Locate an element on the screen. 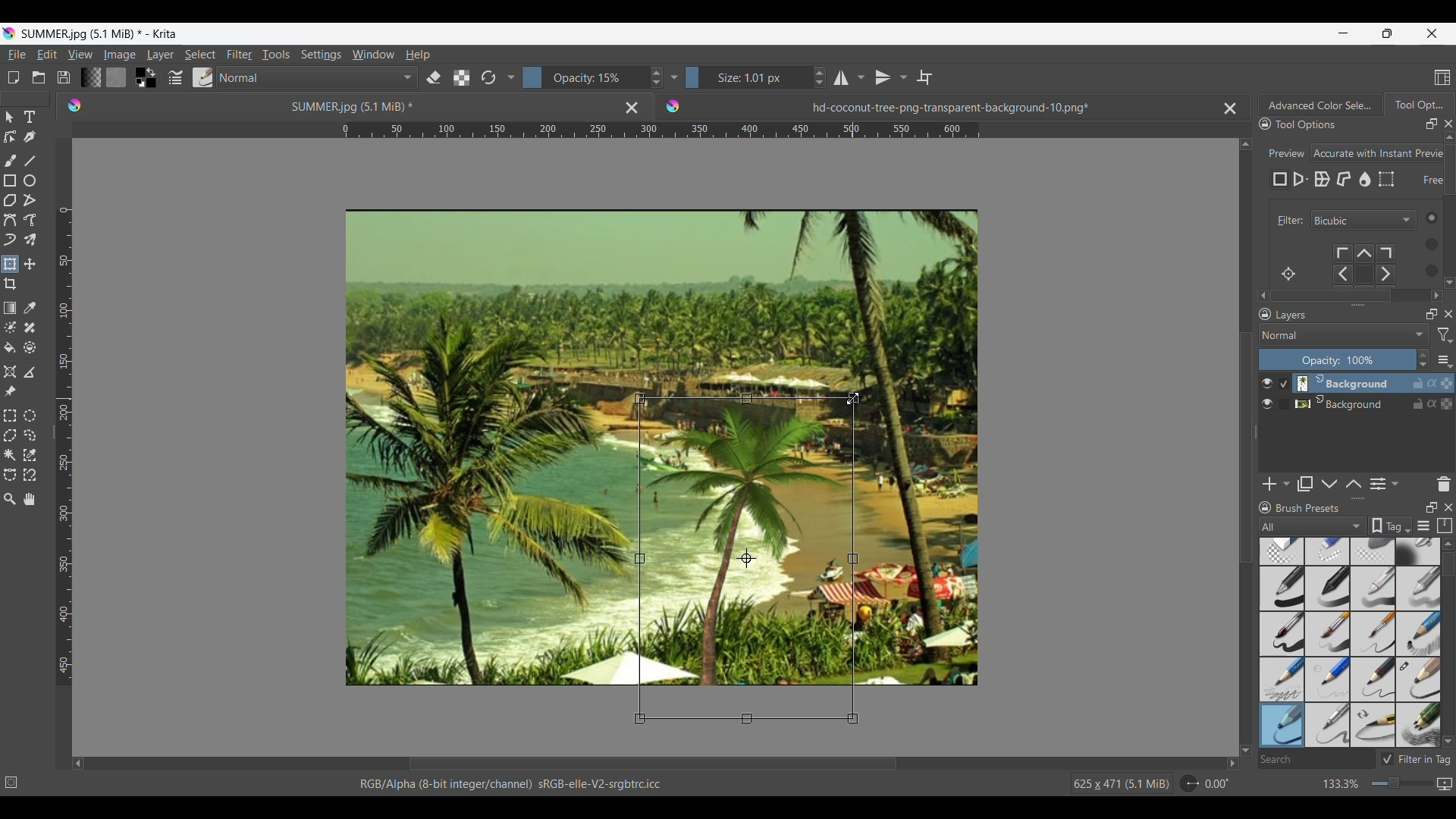 The height and width of the screenshot is (819, 1456). Quick vertical slide to bottom is located at coordinates (1449, 296).